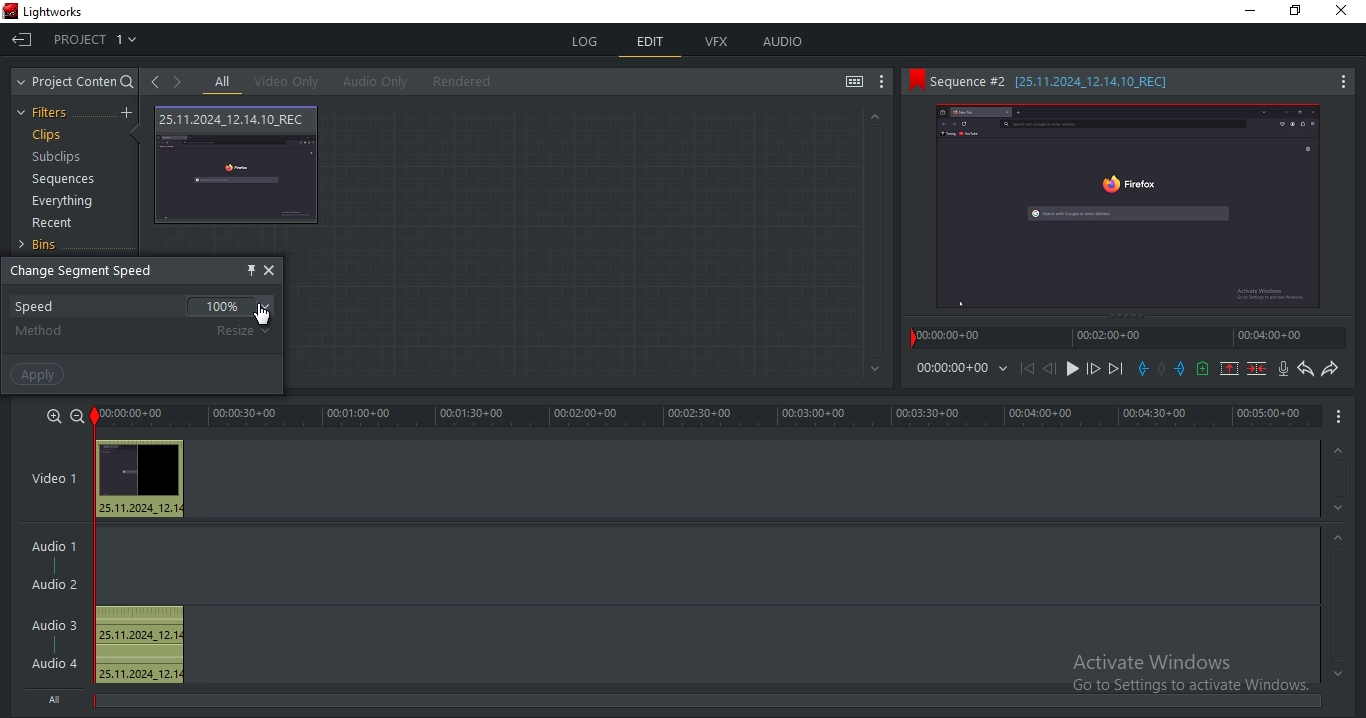 Image resolution: width=1366 pixels, height=718 pixels. I want to click on sequence 2, so click(1130, 83).